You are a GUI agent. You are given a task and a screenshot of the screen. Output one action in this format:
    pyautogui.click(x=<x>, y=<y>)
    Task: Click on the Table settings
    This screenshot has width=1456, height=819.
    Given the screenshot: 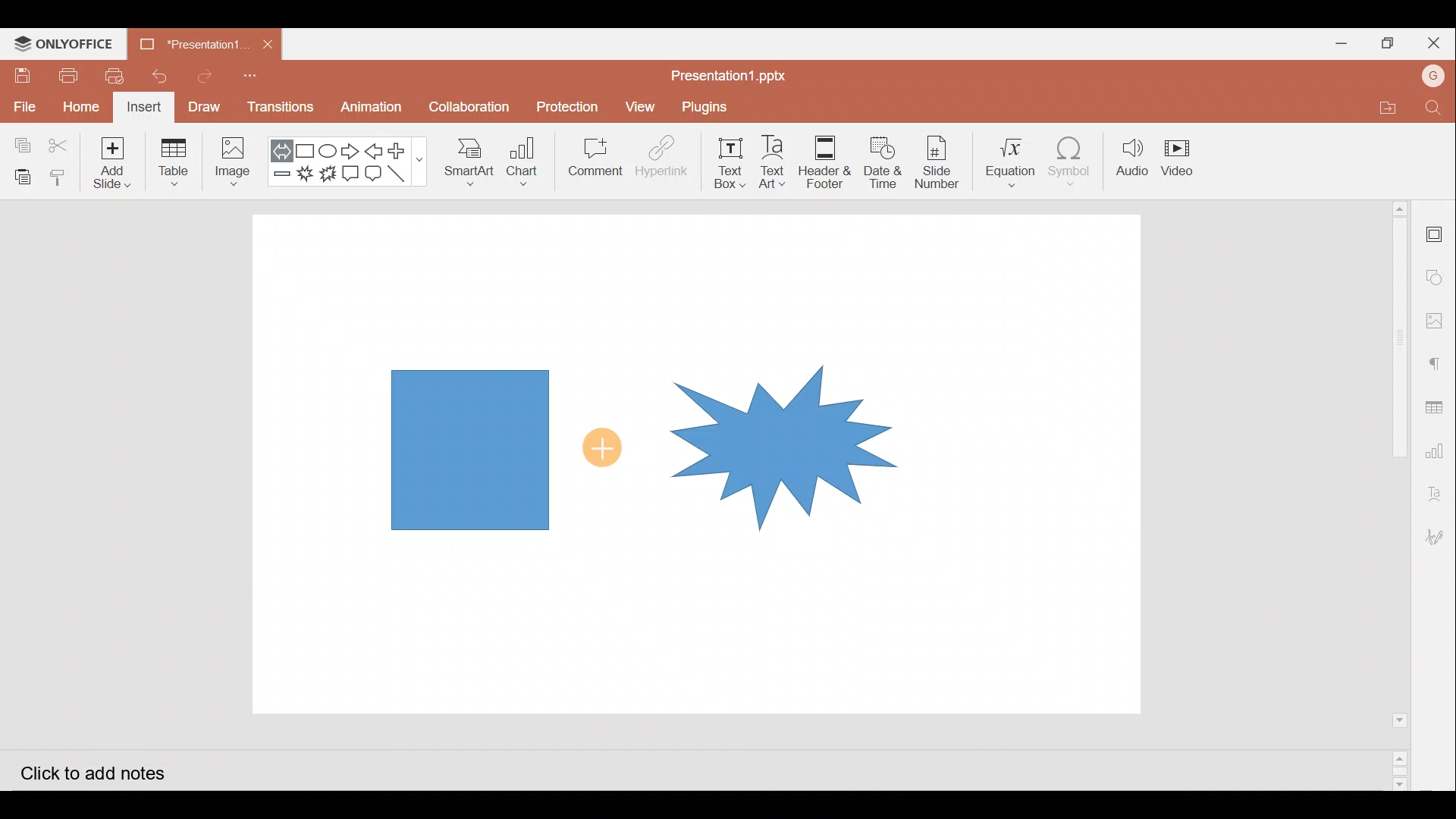 What is the action you would take?
    pyautogui.click(x=1436, y=403)
    